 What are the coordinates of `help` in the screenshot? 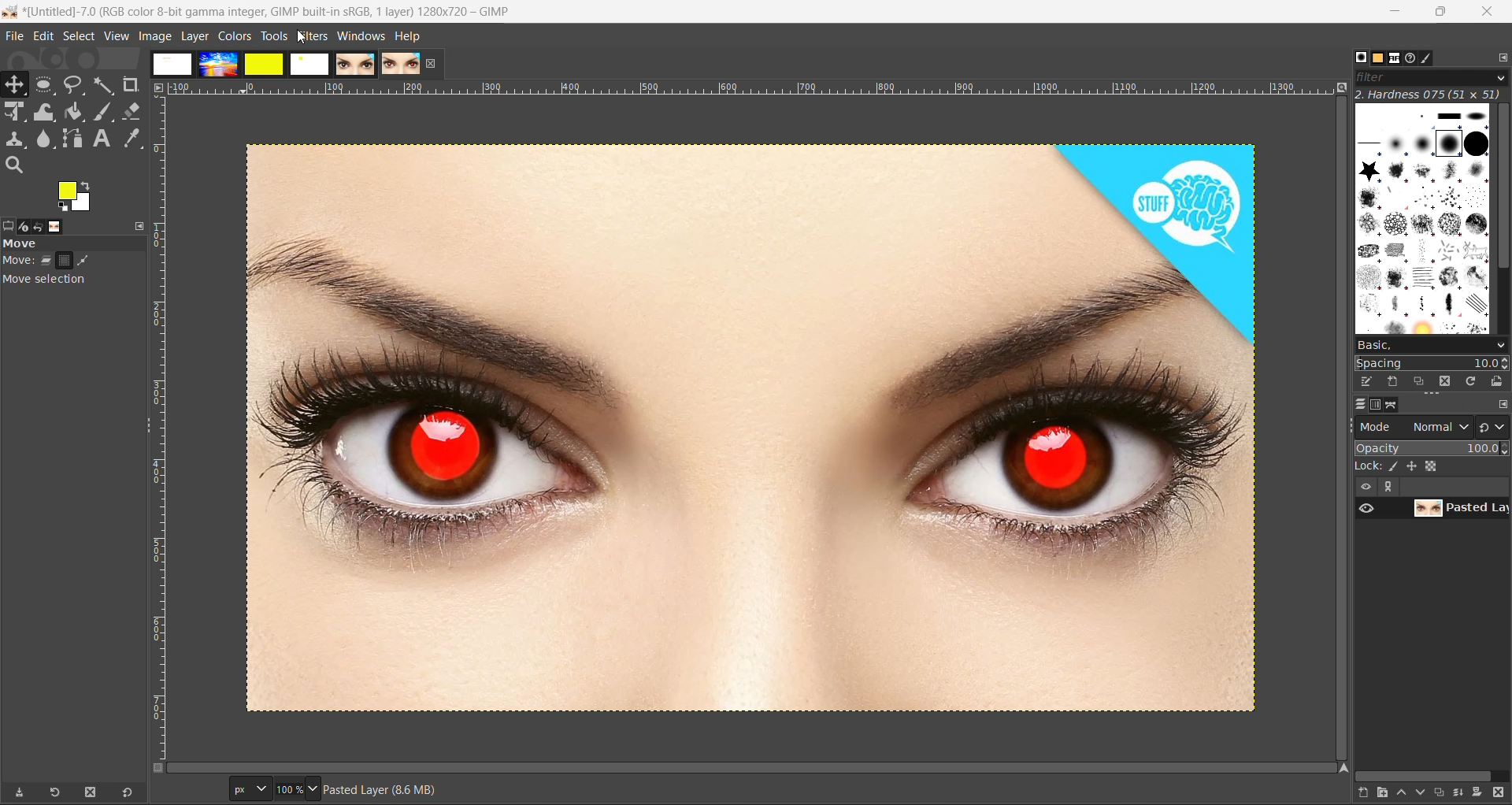 It's located at (409, 36).